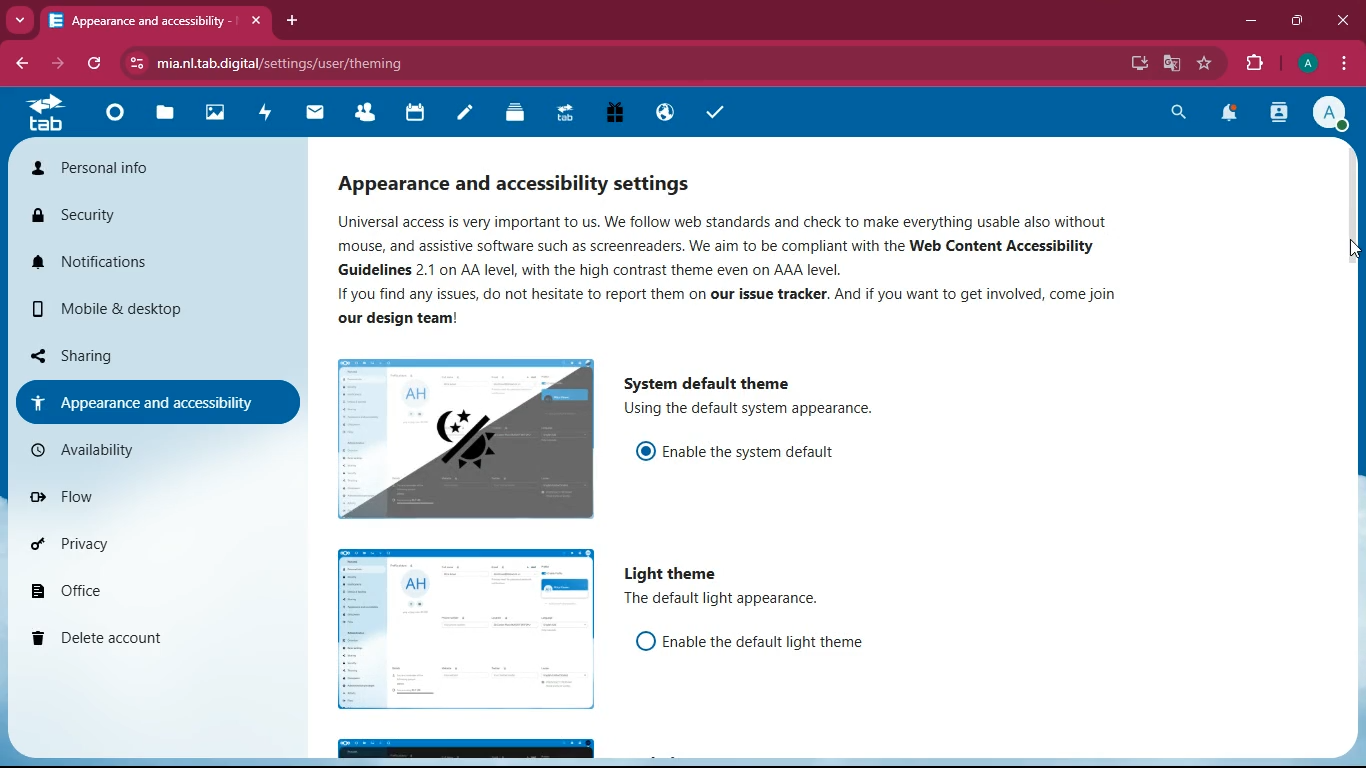 This screenshot has height=768, width=1366. Describe the element at coordinates (269, 114) in the screenshot. I see `activity` at that location.